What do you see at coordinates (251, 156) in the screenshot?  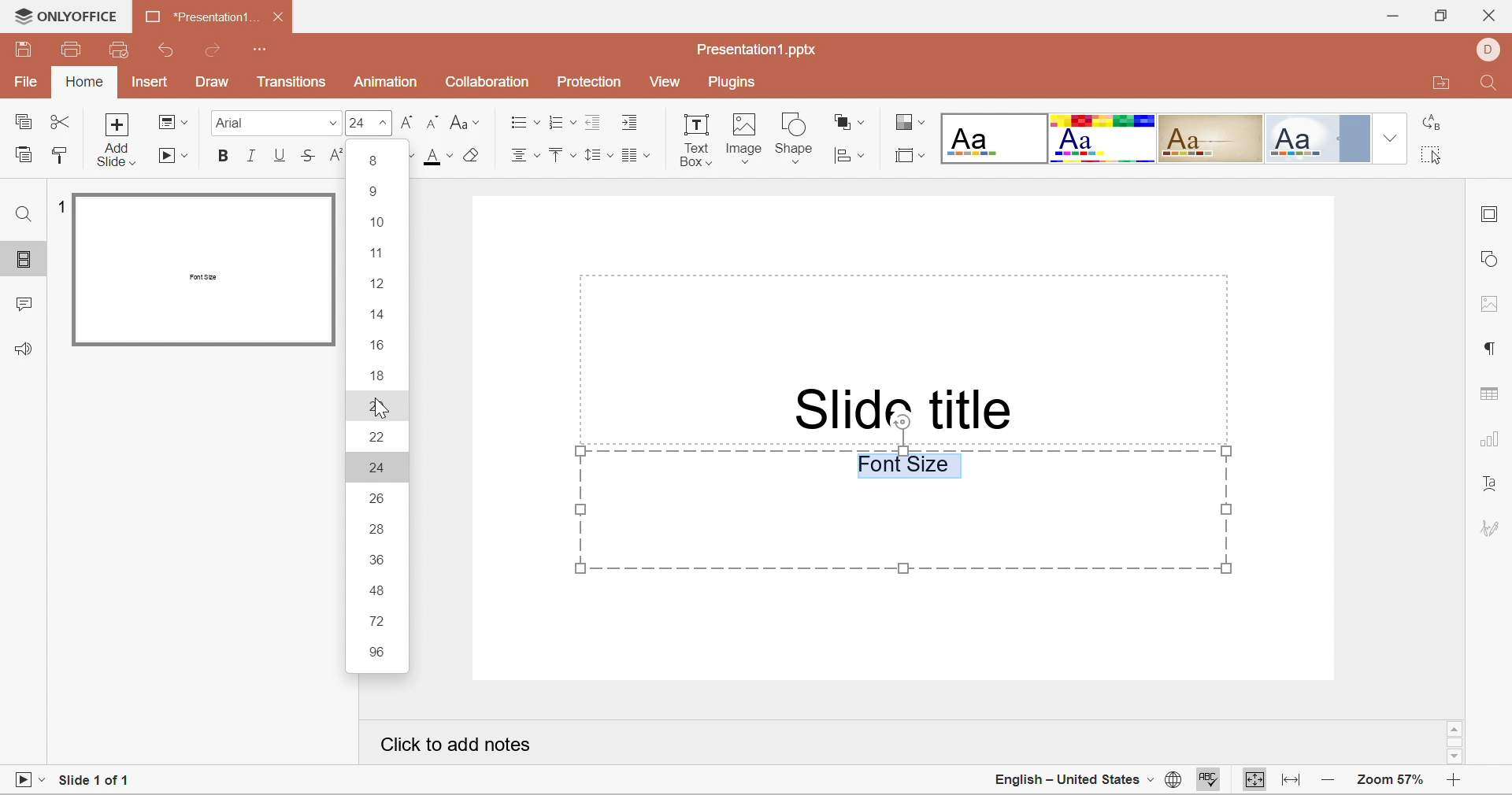 I see `Italic` at bounding box center [251, 156].